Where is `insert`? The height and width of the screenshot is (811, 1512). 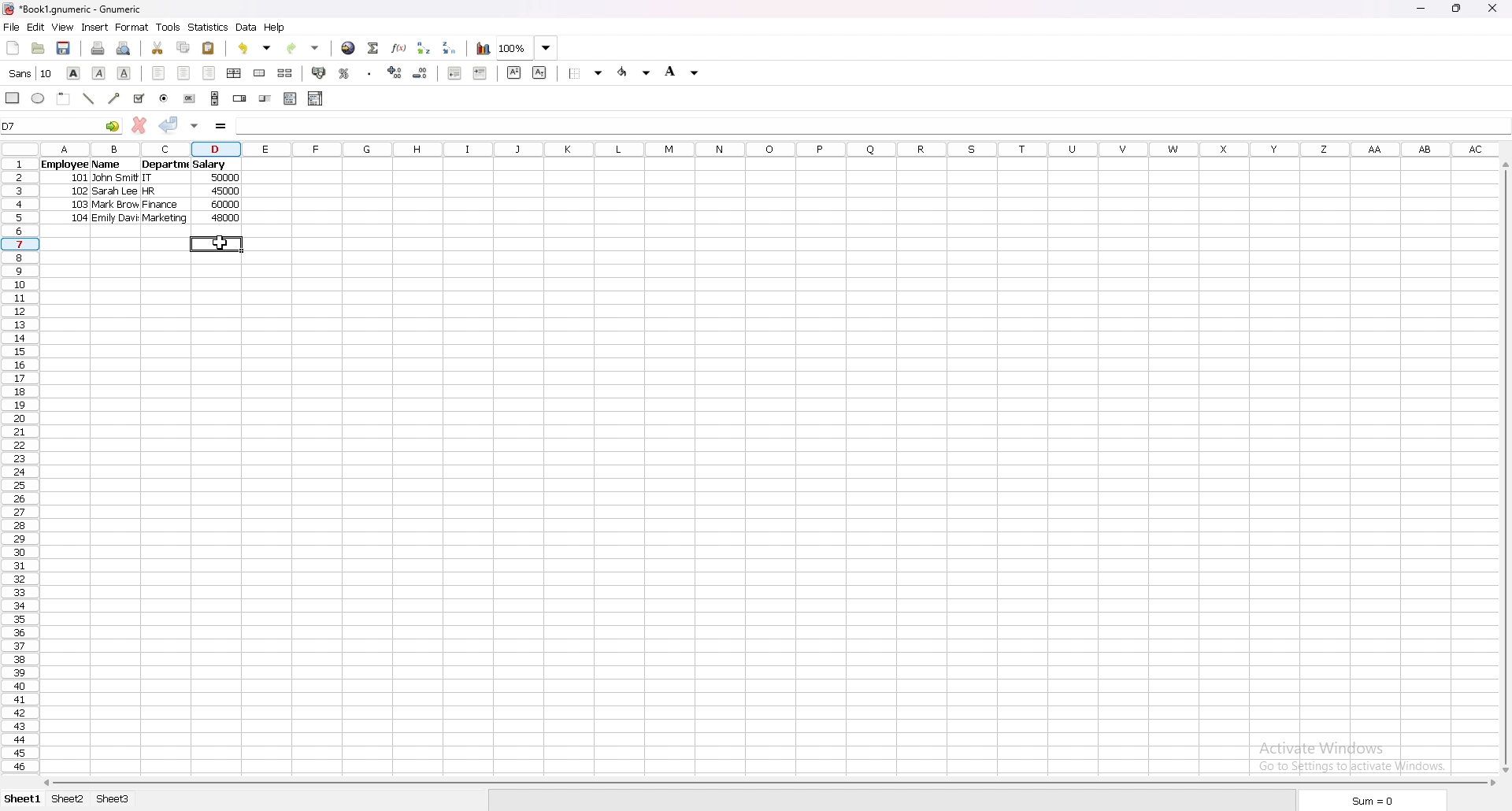
insert is located at coordinates (95, 28).